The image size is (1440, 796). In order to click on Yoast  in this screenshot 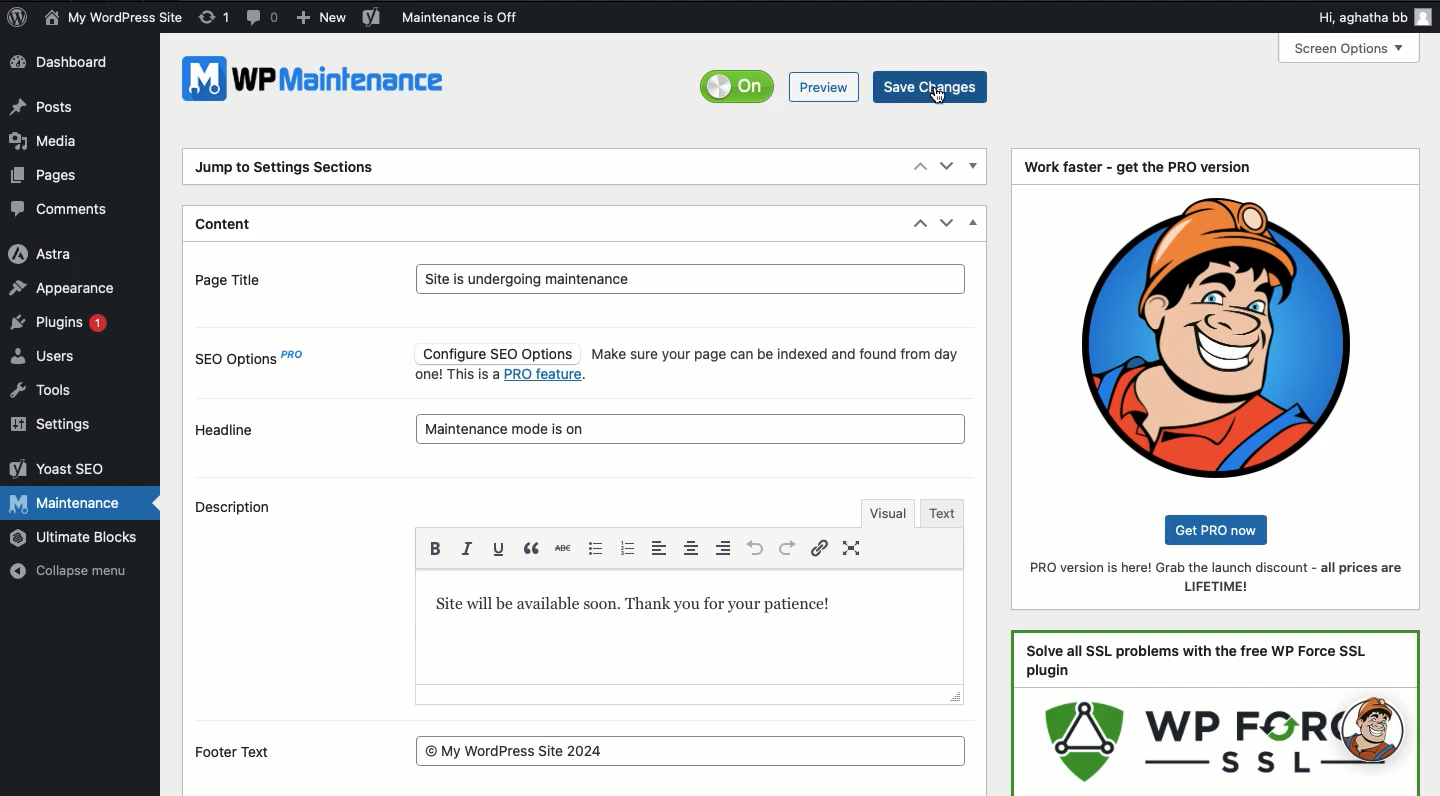, I will do `click(373, 17)`.